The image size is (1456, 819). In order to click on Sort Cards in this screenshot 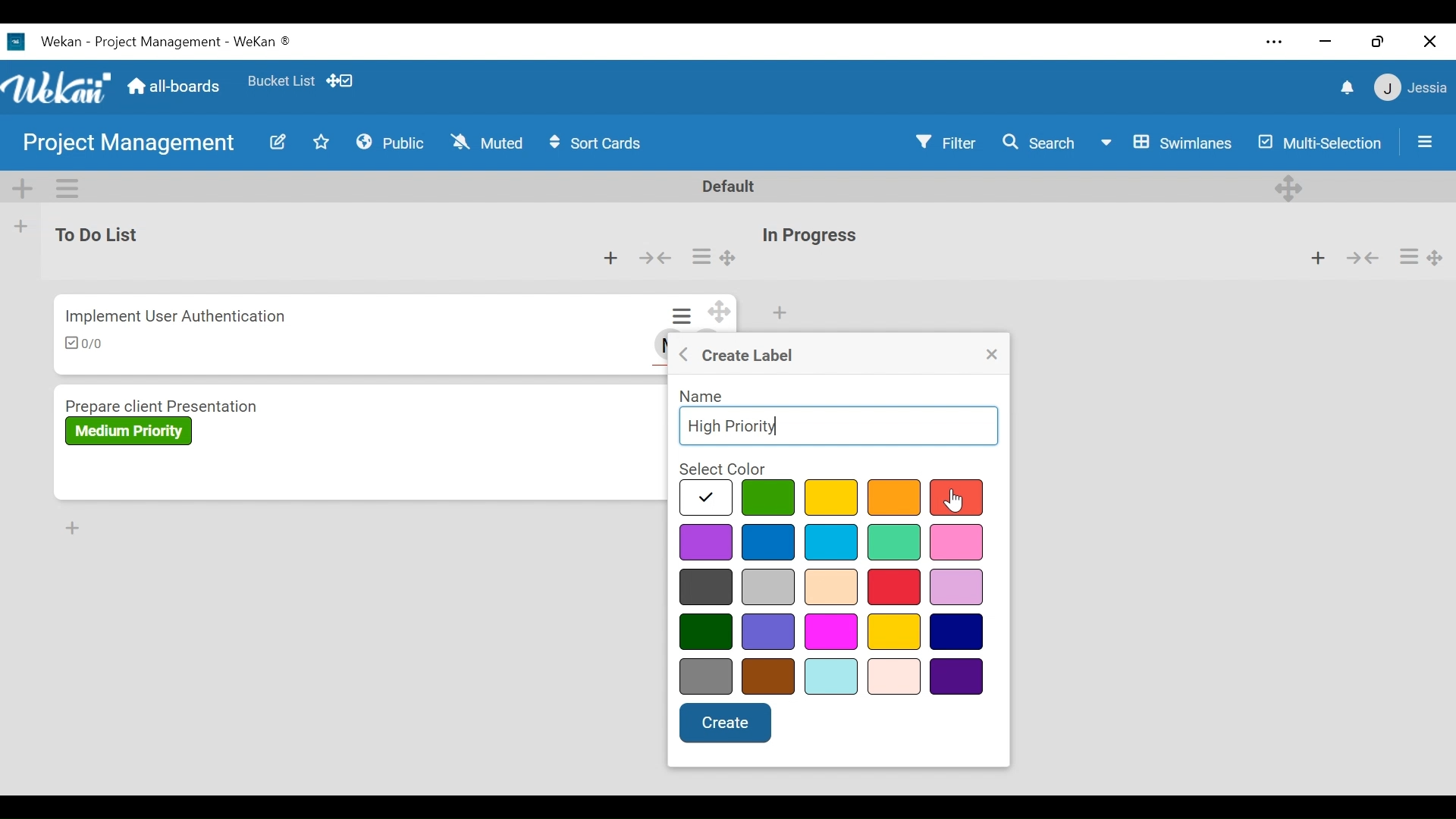, I will do `click(601, 143)`.